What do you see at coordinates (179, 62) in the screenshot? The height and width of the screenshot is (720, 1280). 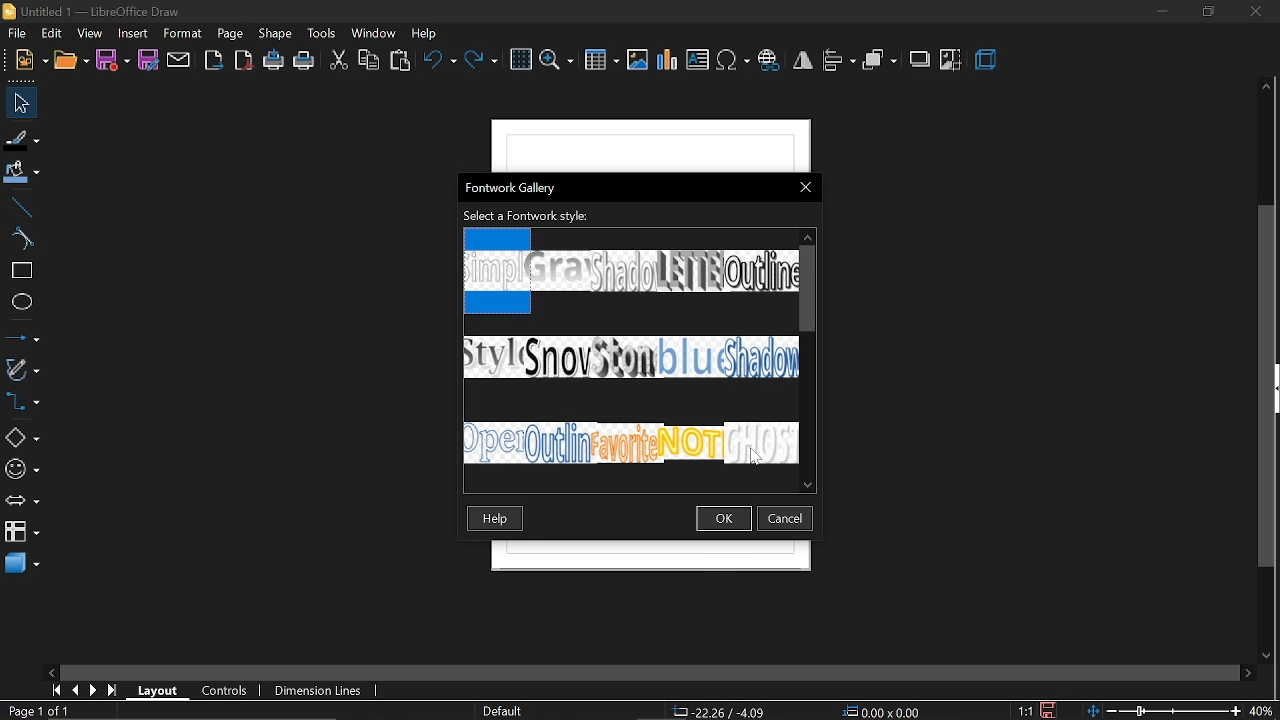 I see `attach` at bounding box center [179, 62].